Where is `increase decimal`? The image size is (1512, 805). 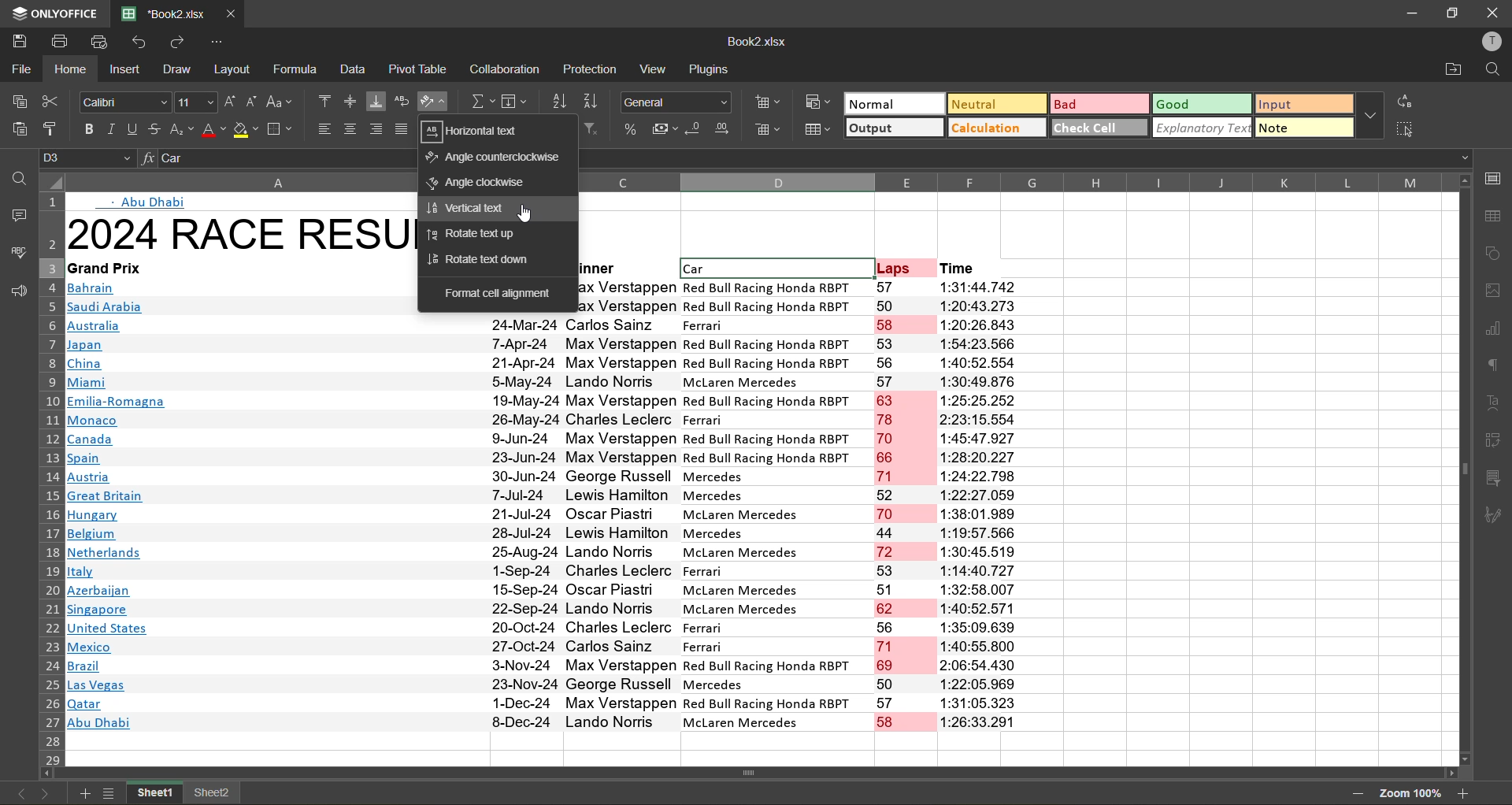
increase decimal is located at coordinates (723, 131).